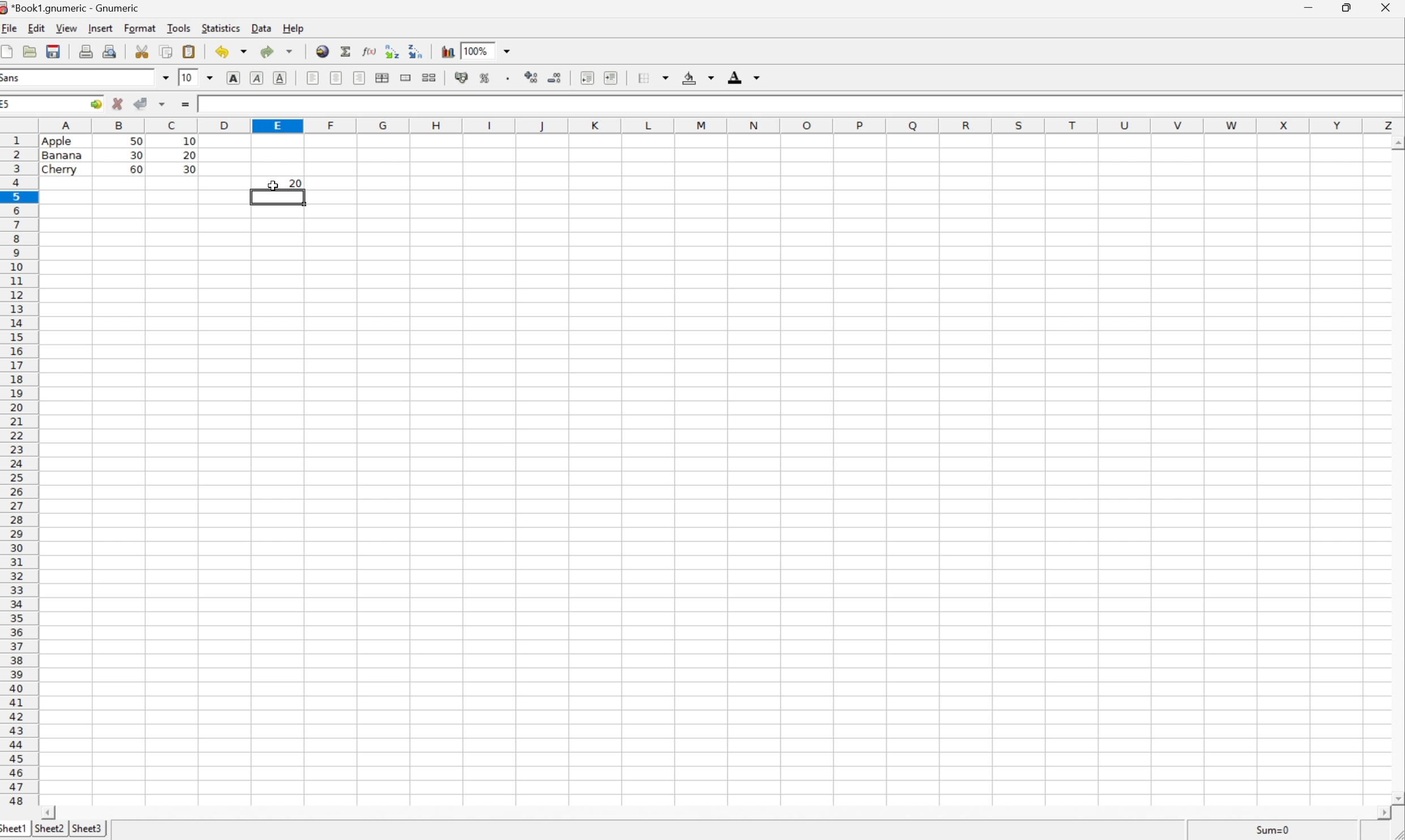 This screenshot has width=1405, height=840. What do you see at coordinates (13, 830) in the screenshot?
I see `sheet1` at bounding box center [13, 830].